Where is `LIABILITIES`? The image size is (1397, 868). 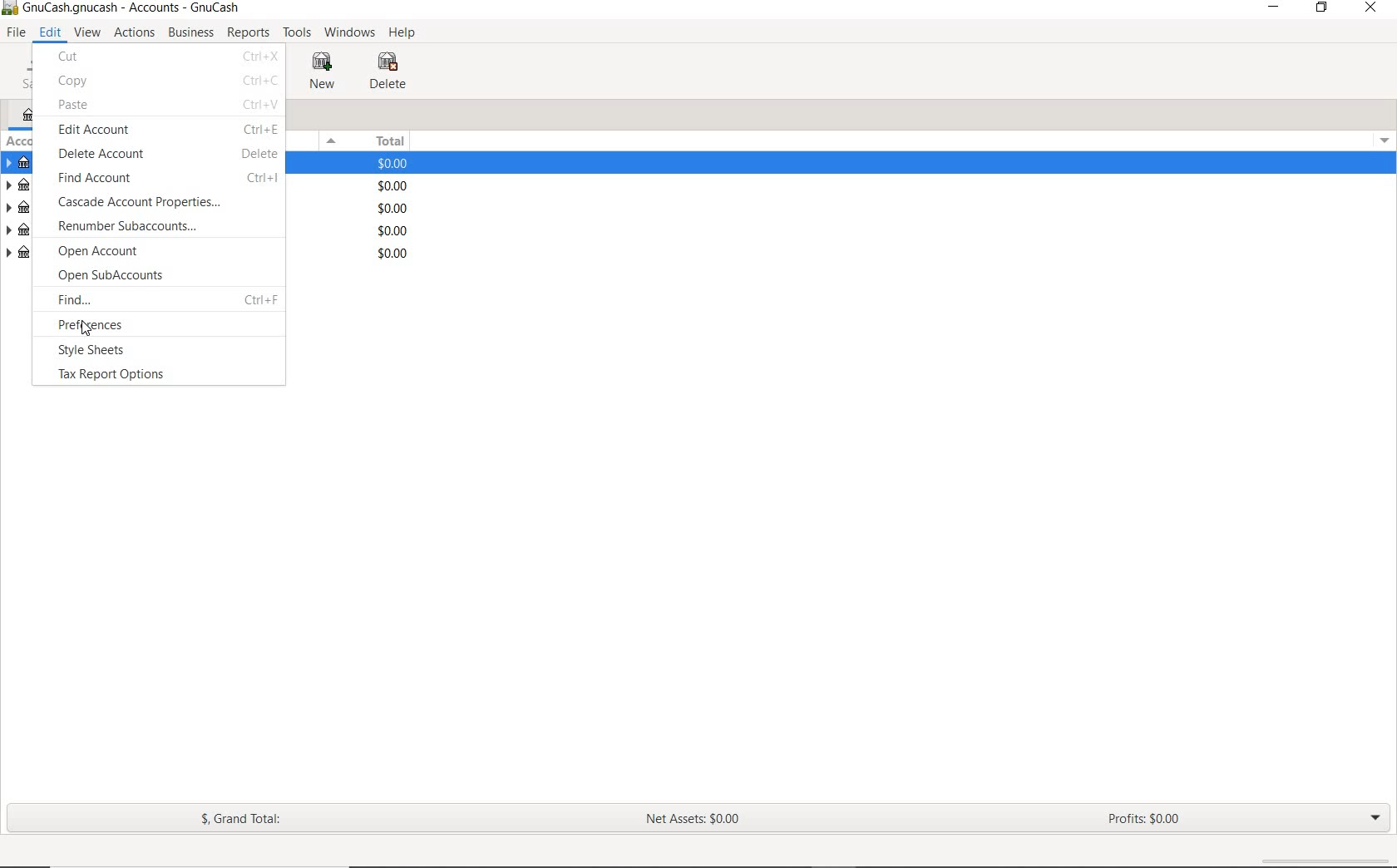 LIABILITIES is located at coordinates (20, 187).